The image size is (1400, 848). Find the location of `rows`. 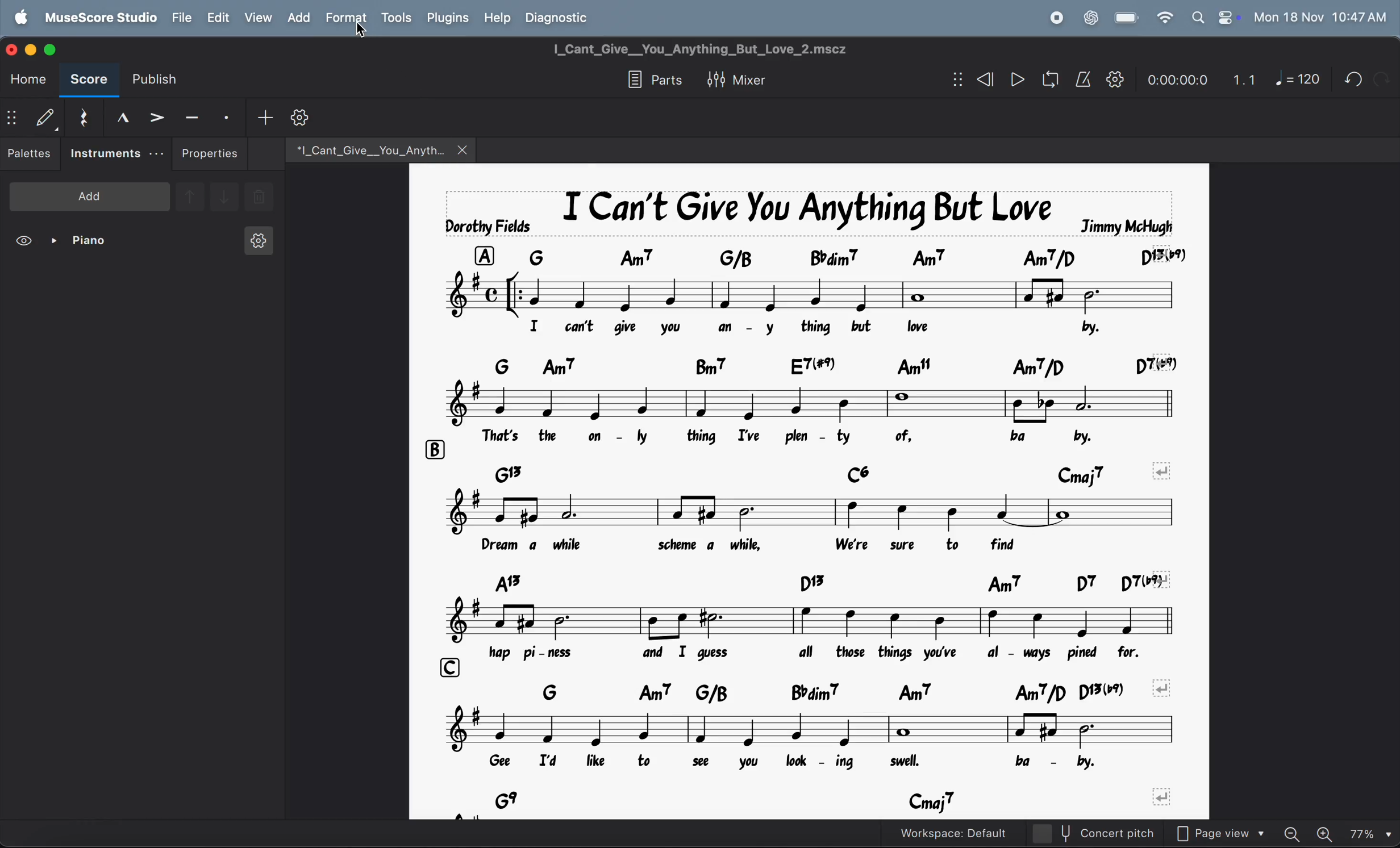

rows is located at coordinates (434, 450).